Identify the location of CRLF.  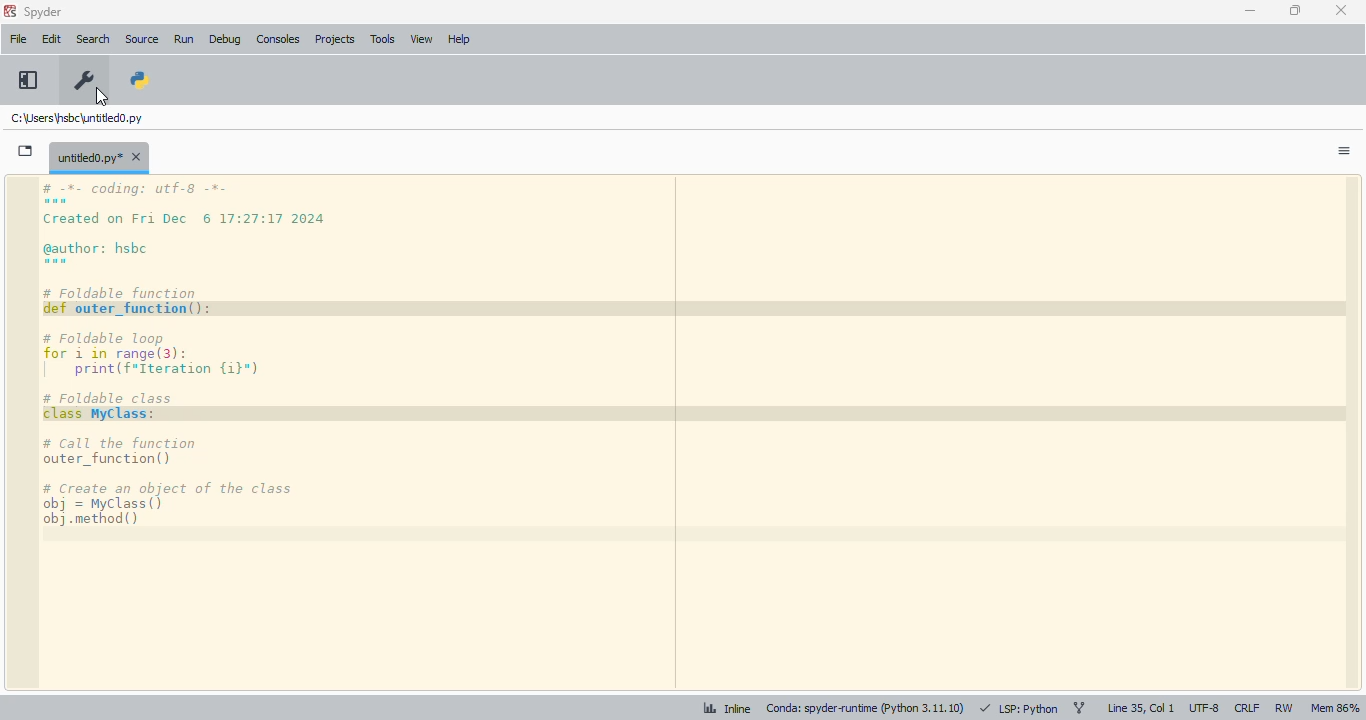
(1246, 707).